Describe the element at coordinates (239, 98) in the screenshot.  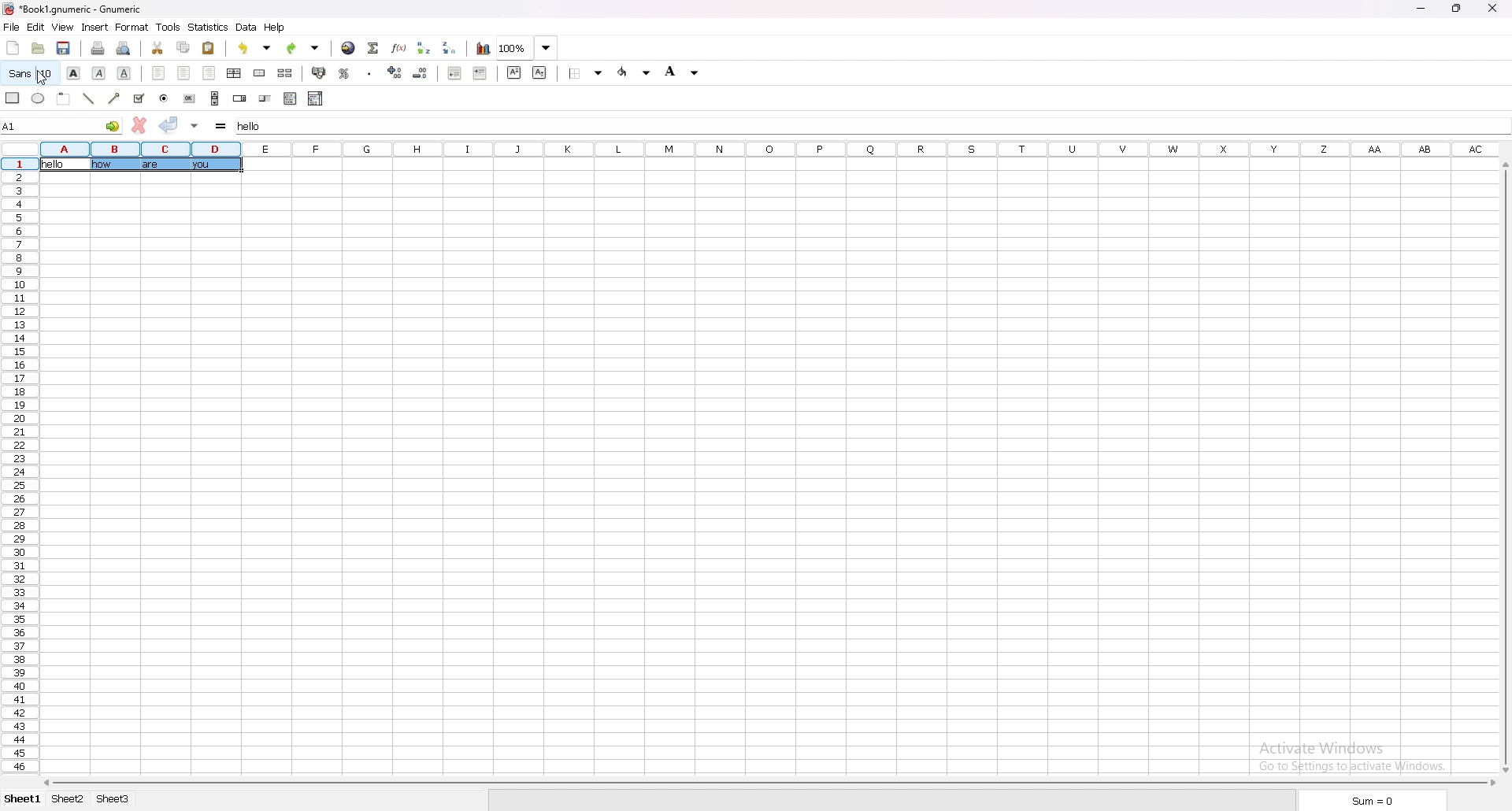
I see `spin button` at that location.